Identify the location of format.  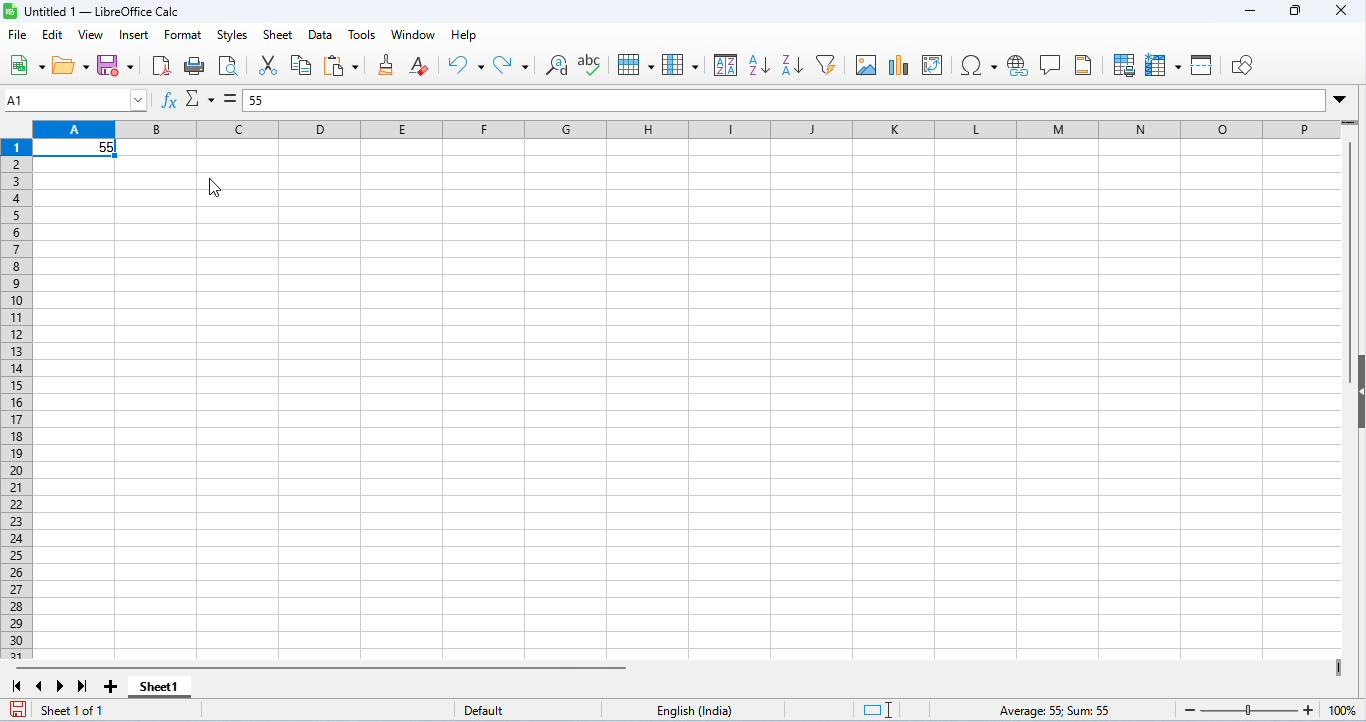
(184, 35).